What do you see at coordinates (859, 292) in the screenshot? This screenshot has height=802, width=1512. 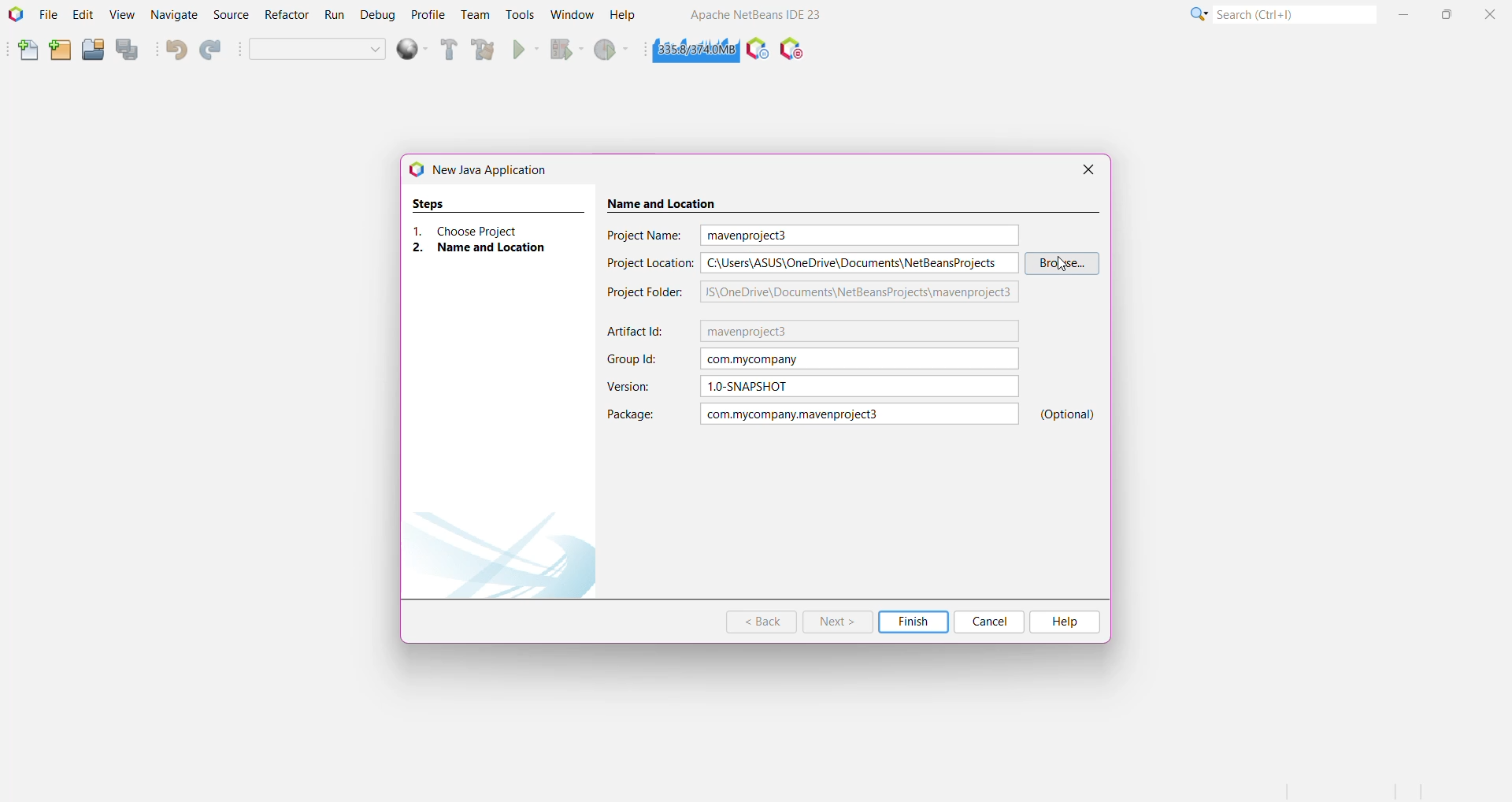 I see `Selected Project Folder` at bounding box center [859, 292].